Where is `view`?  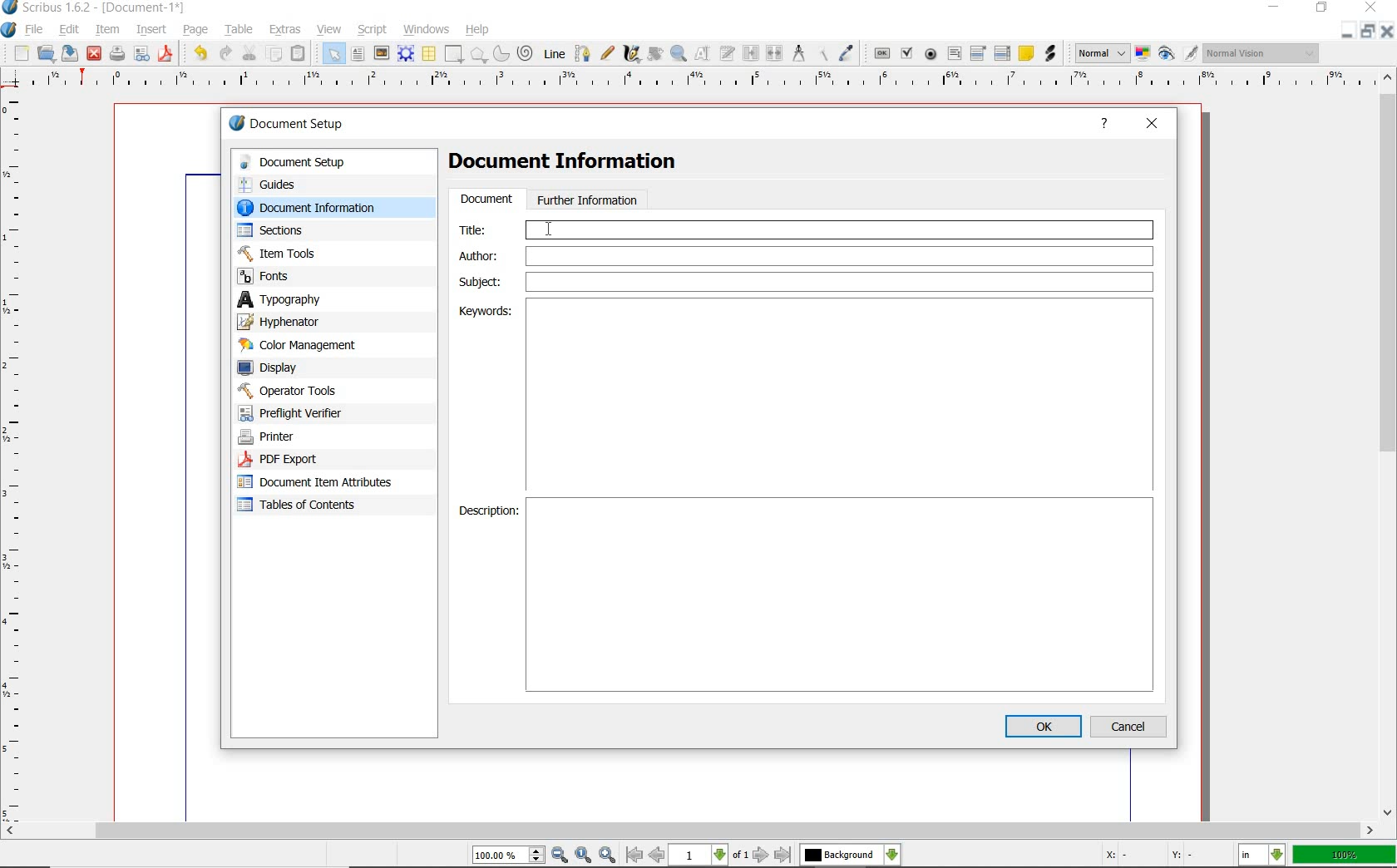
view is located at coordinates (328, 29).